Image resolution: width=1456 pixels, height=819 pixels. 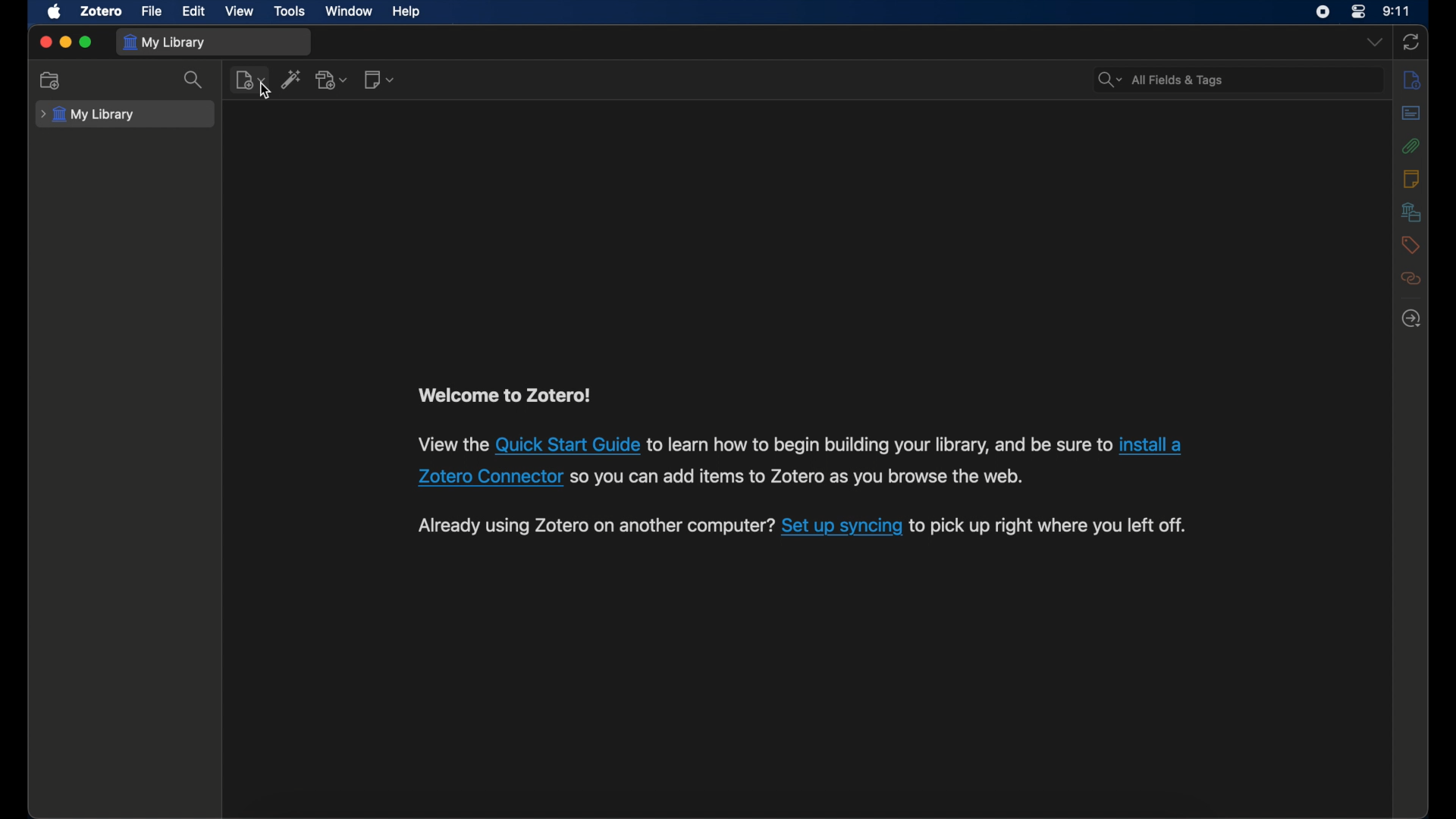 What do you see at coordinates (1410, 180) in the screenshot?
I see `notes` at bounding box center [1410, 180].